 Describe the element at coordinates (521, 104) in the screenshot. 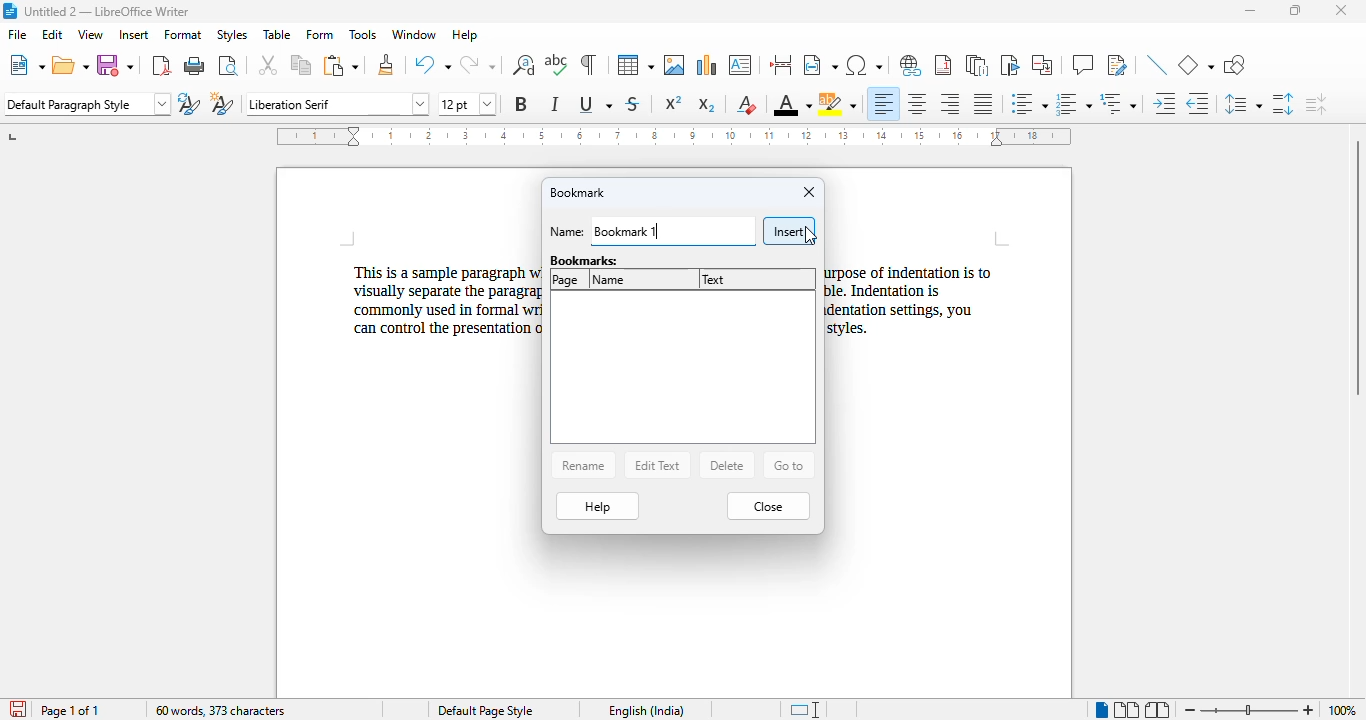

I see `bold` at that location.